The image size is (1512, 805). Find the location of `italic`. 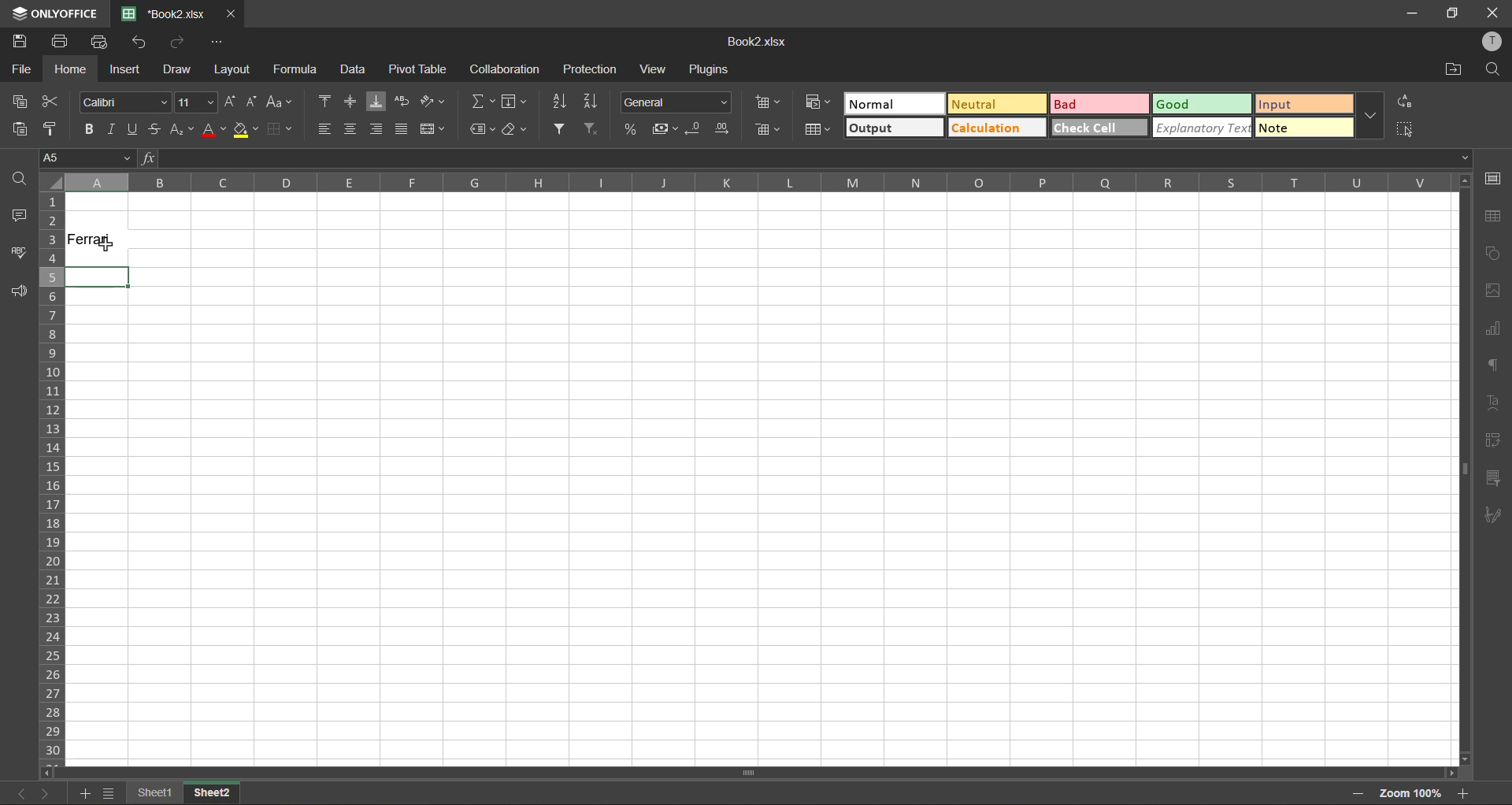

italic is located at coordinates (113, 129).